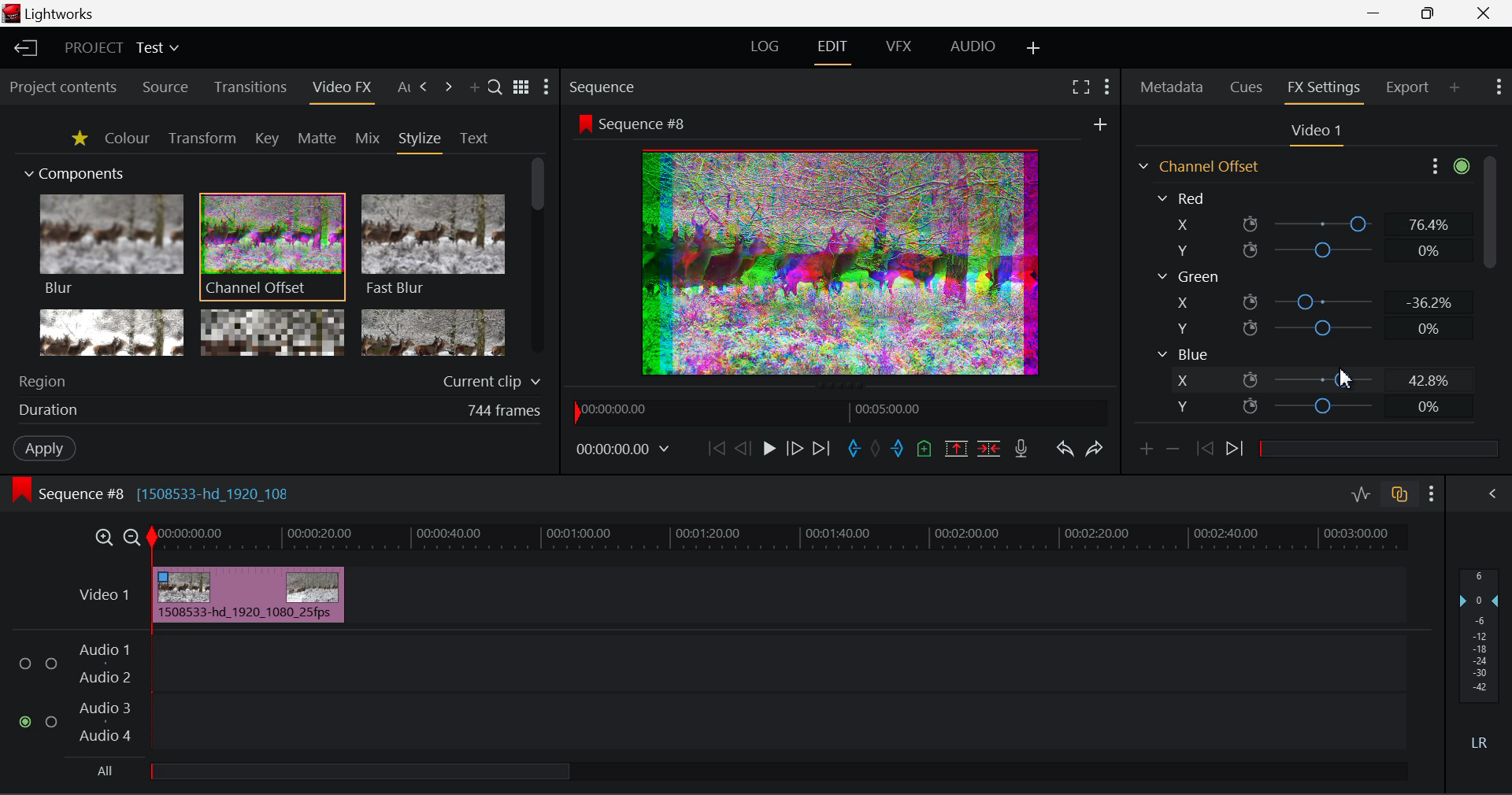  I want to click on Toggle auto track sync, so click(1398, 494).